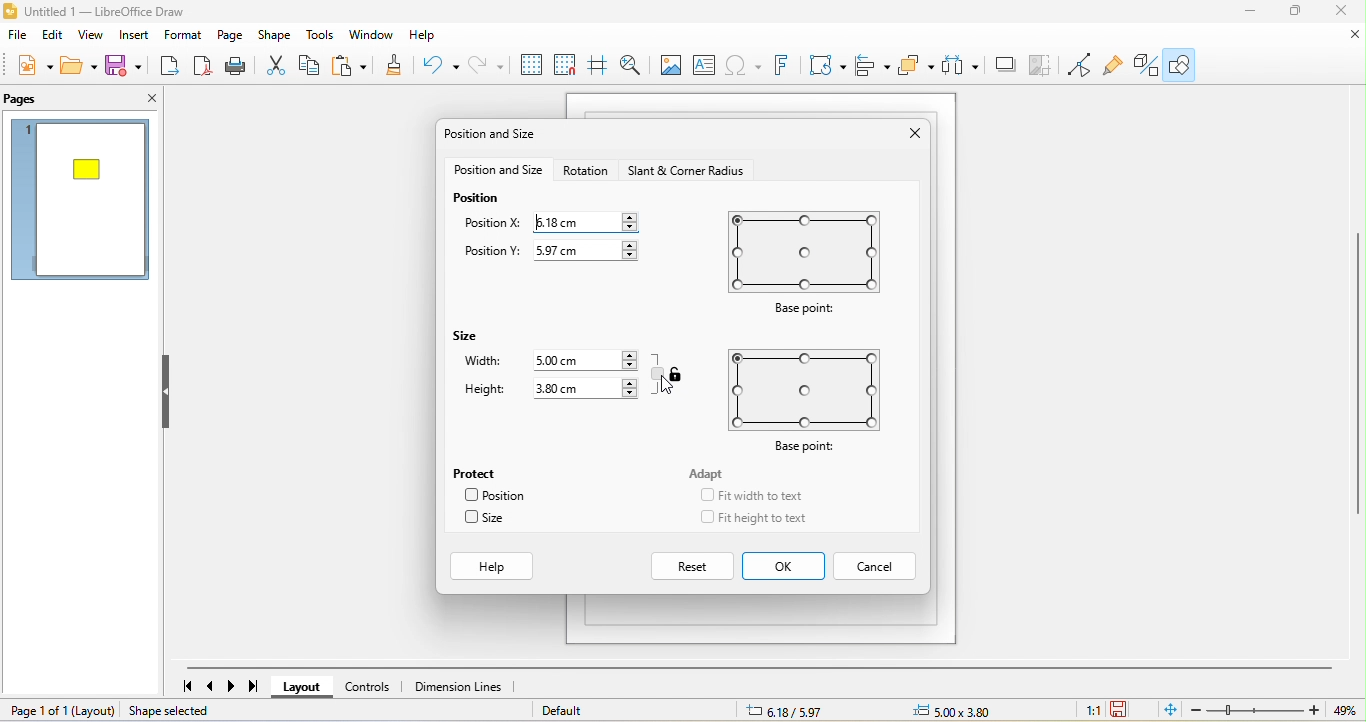 This screenshot has width=1366, height=722. What do you see at coordinates (140, 97) in the screenshot?
I see `close` at bounding box center [140, 97].